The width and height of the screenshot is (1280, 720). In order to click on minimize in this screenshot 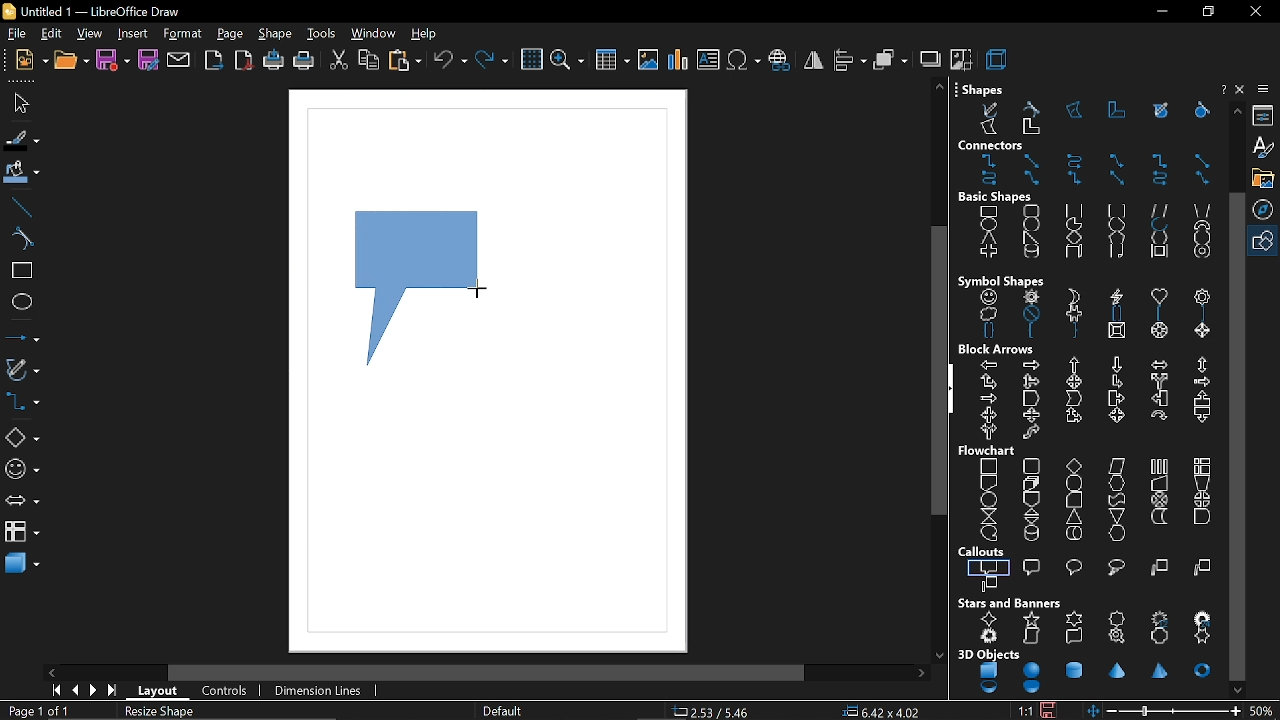, I will do `click(1160, 12)`.